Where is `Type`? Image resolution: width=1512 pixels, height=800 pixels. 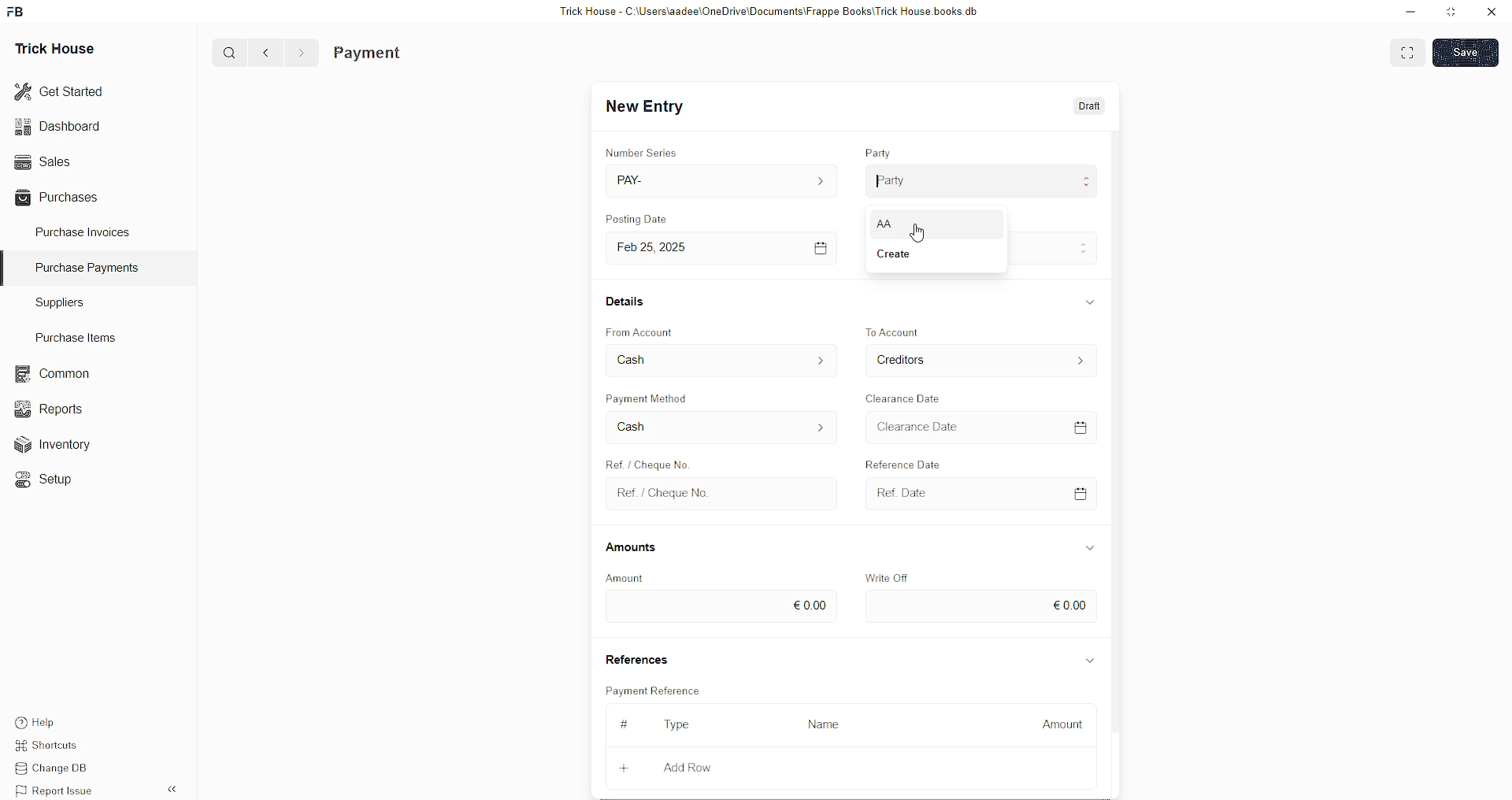 Type is located at coordinates (683, 726).